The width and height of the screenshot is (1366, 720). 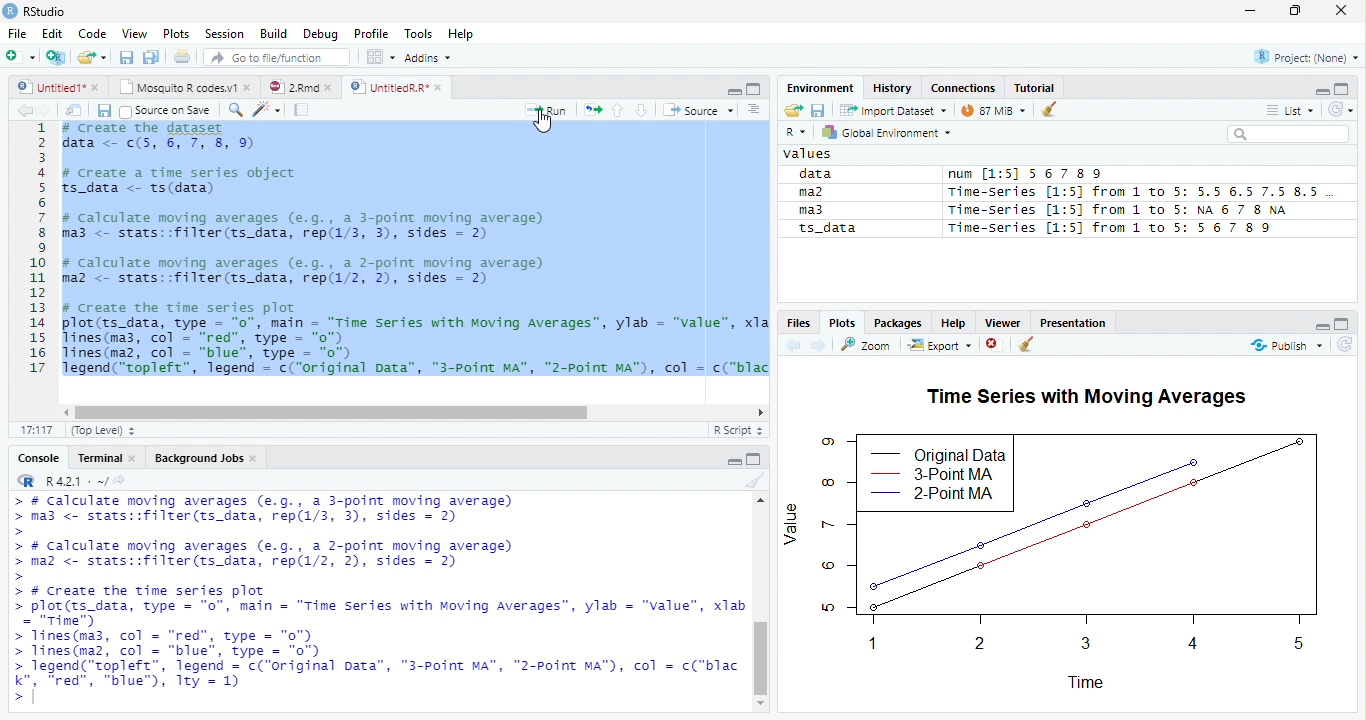 What do you see at coordinates (183, 56) in the screenshot?
I see `print current file` at bounding box center [183, 56].